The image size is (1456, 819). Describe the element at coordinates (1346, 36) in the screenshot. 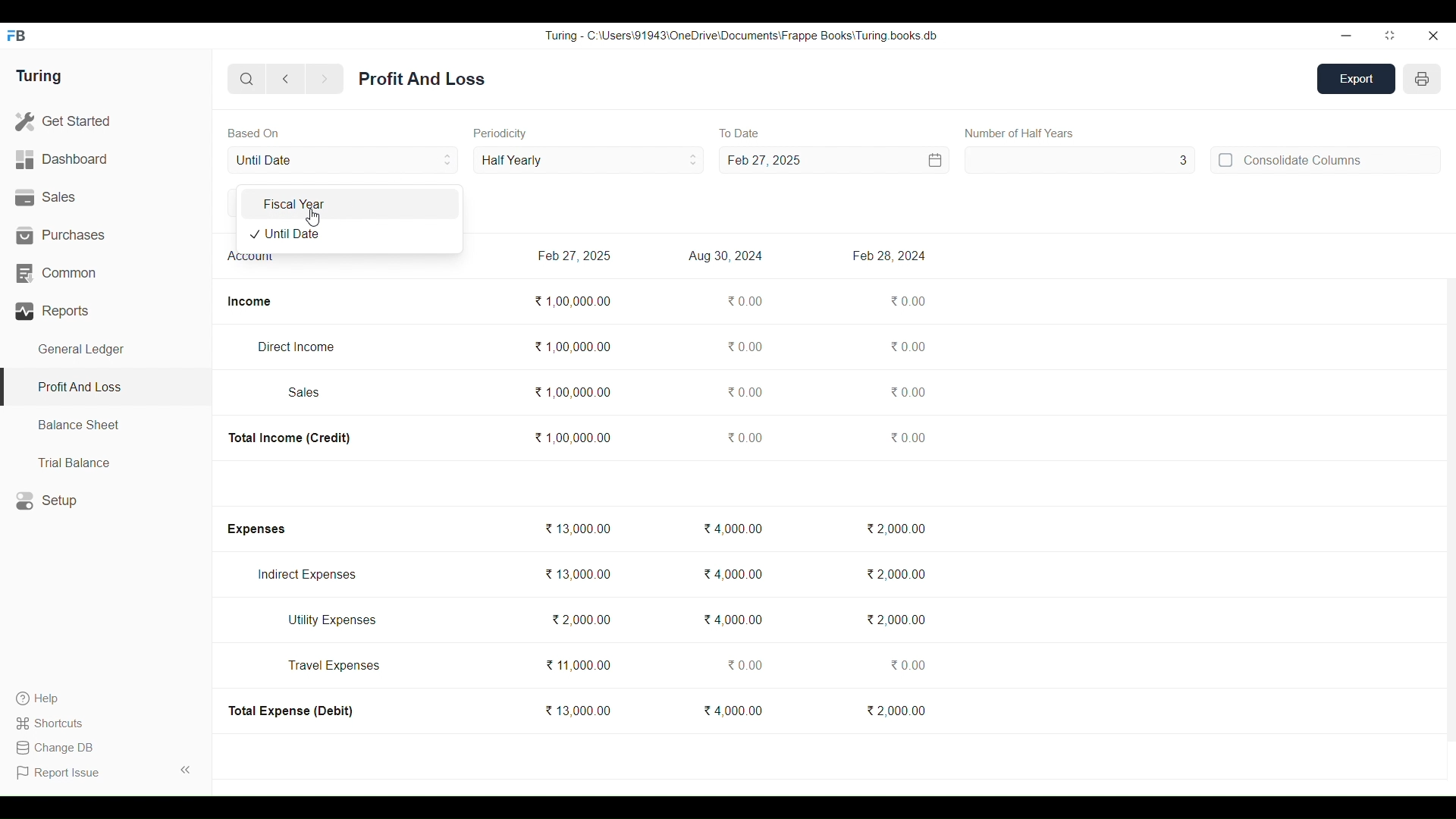

I see `Minimize` at that location.